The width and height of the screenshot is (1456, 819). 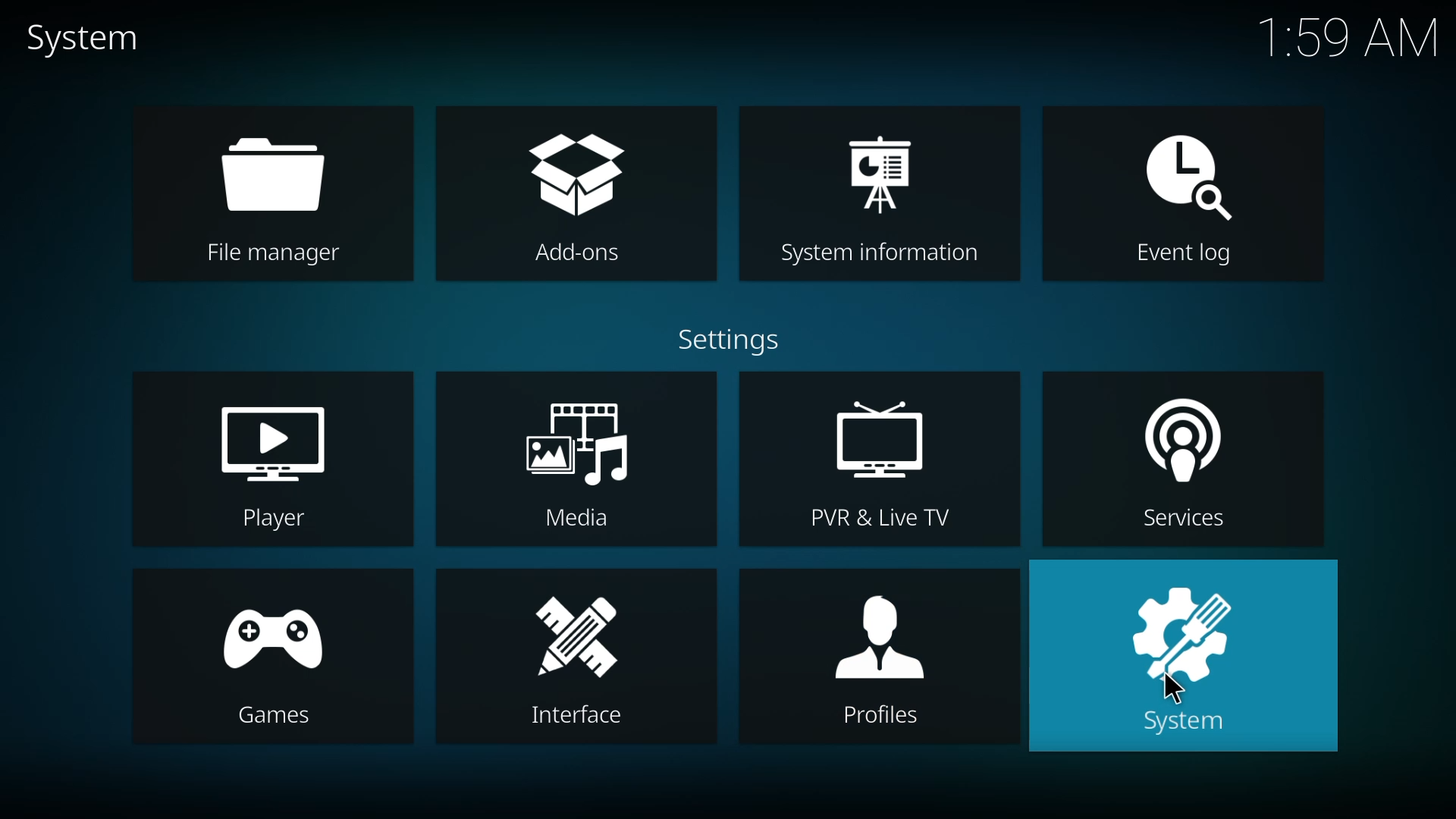 What do you see at coordinates (271, 466) in the screenshot?
I see `player` at bounding box center [271, 466].